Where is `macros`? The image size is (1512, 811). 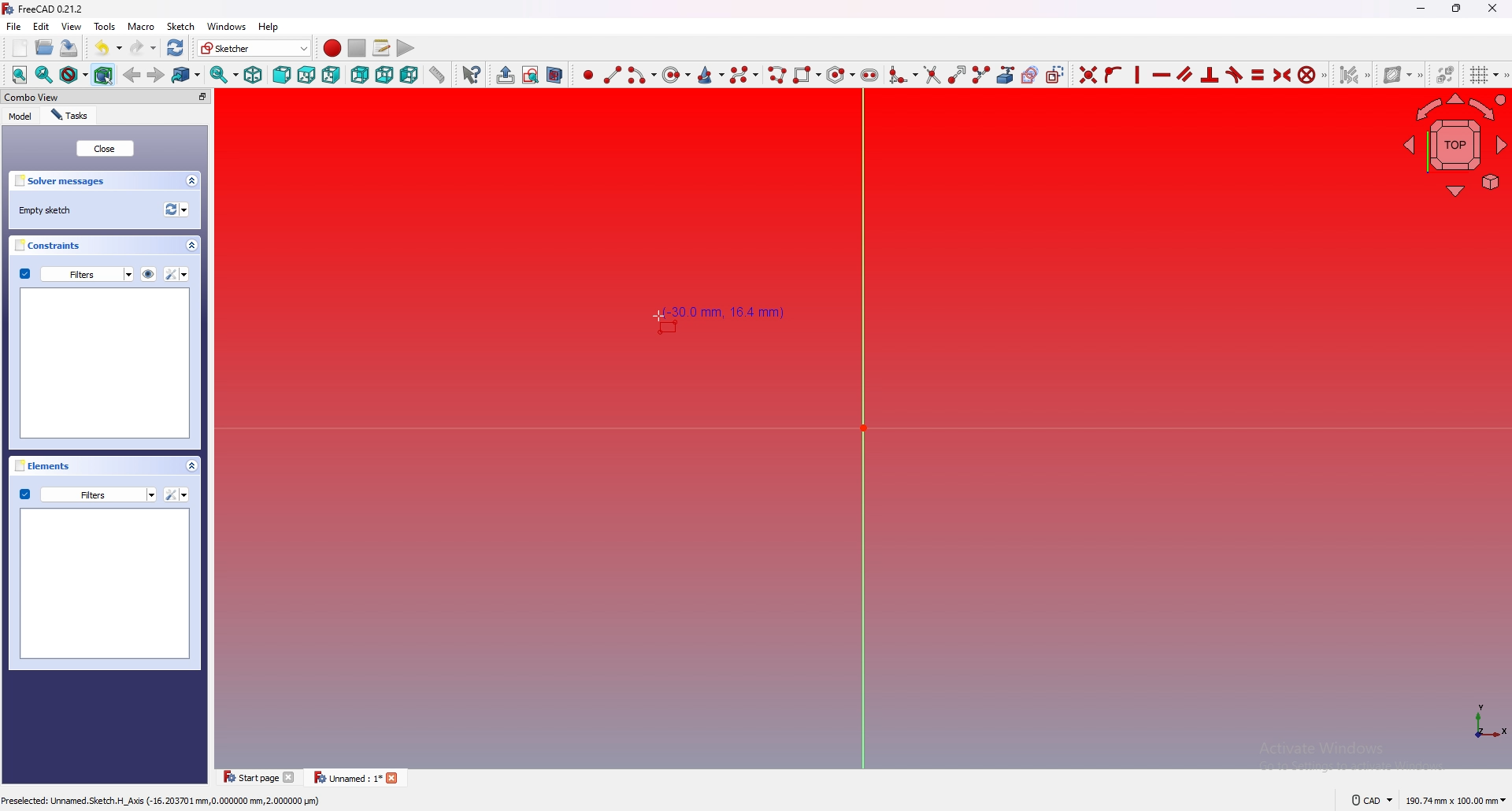
macros is located at coordinates (382, 48).